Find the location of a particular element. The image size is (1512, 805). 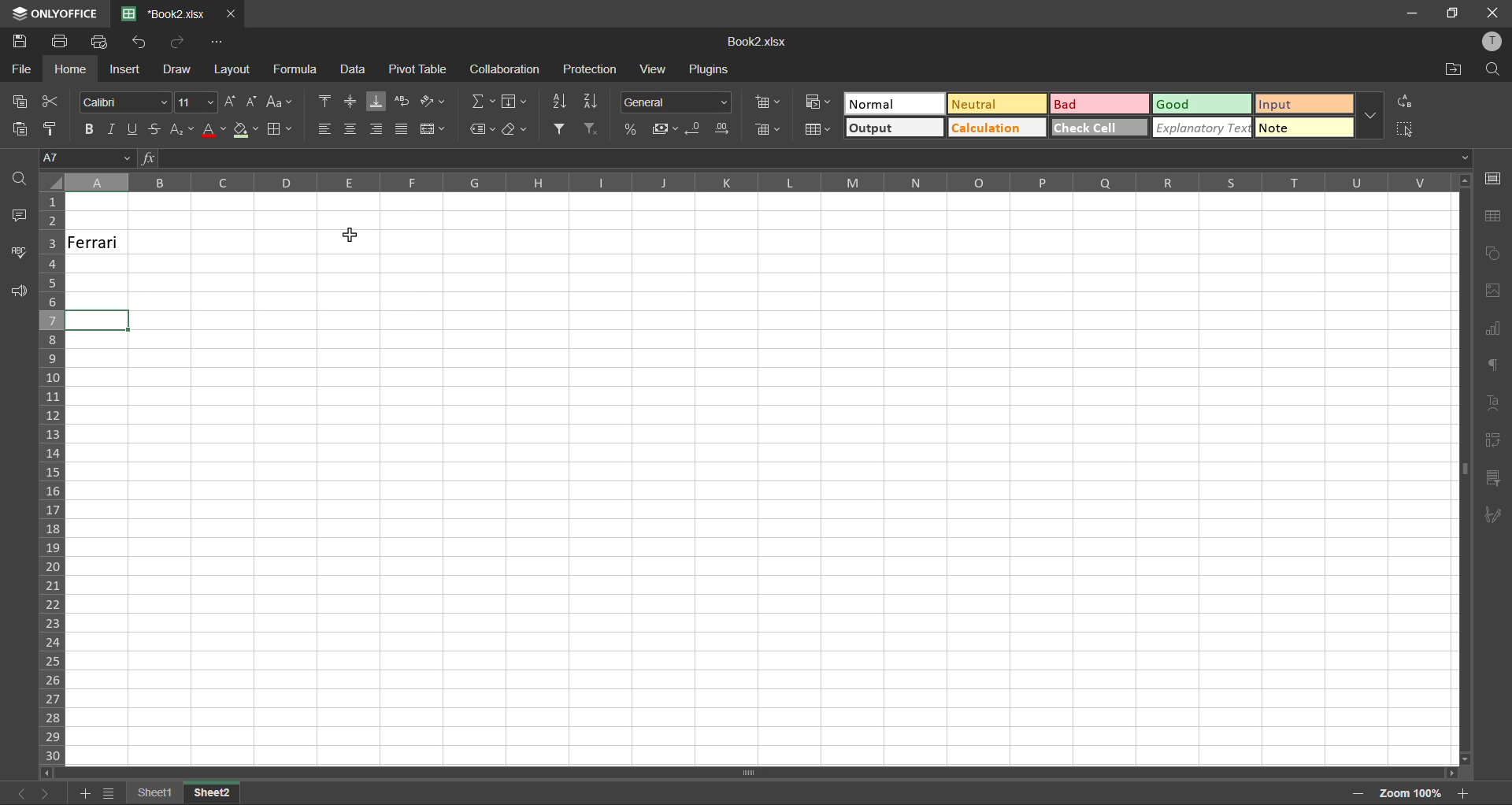

comments is located at coordinates (22, 220).